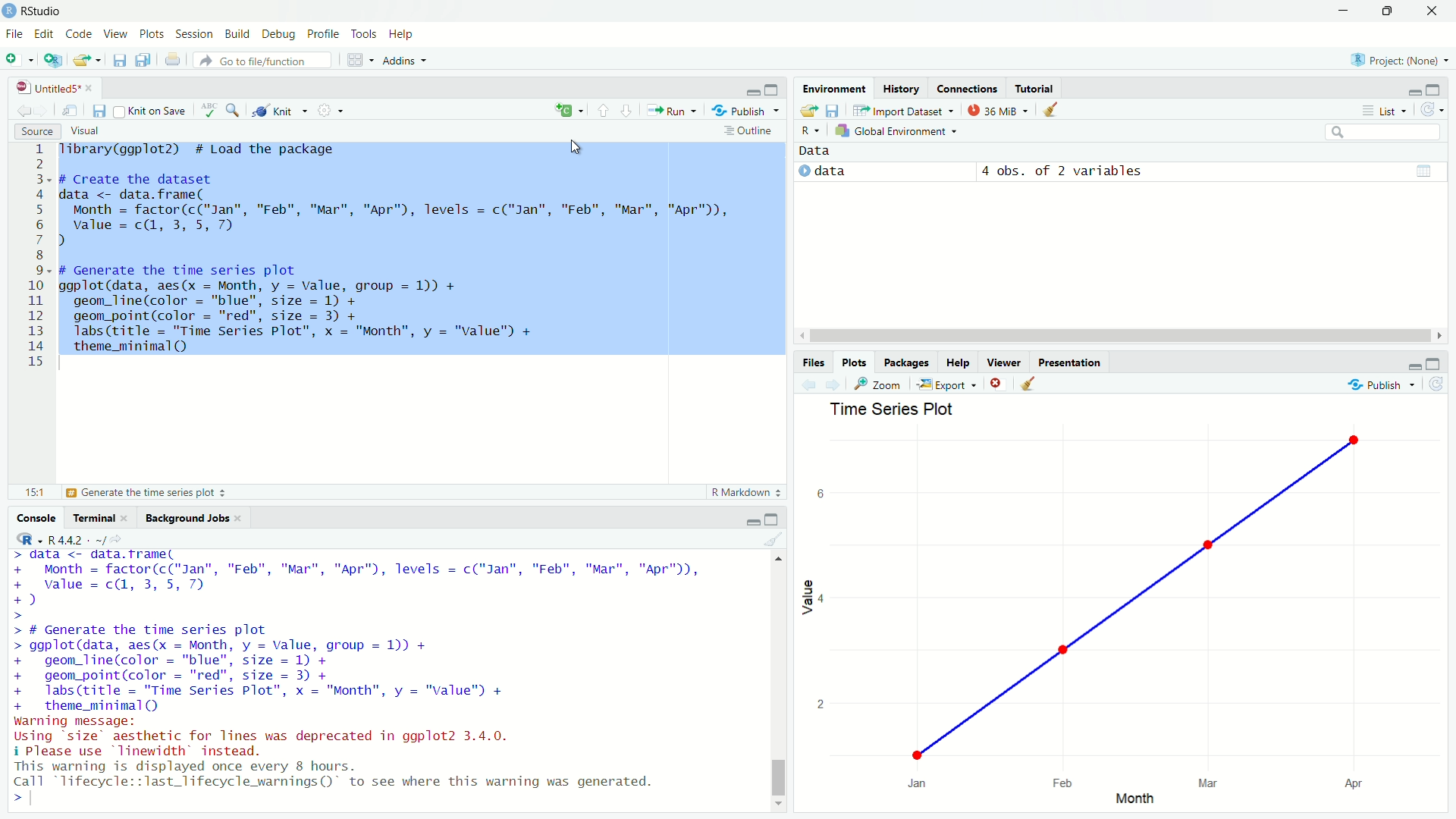 This screenshot has height=819, width=1456. What do you see at coordinates (337, 773) in the screenshot?
I see `warning displayed` at bounding box center [337, 773].